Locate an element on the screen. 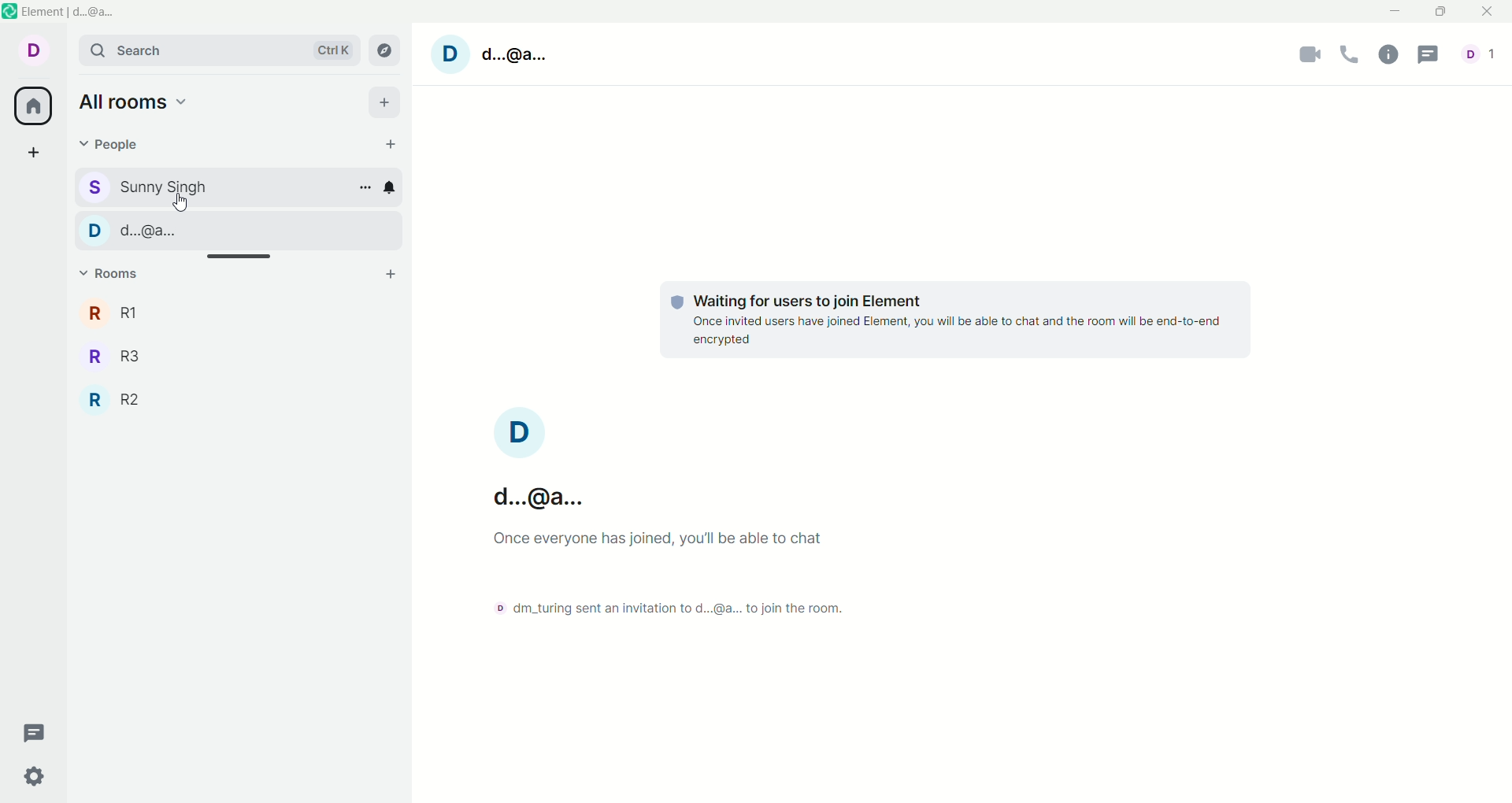  cursor is located at coordinates (184, 203).